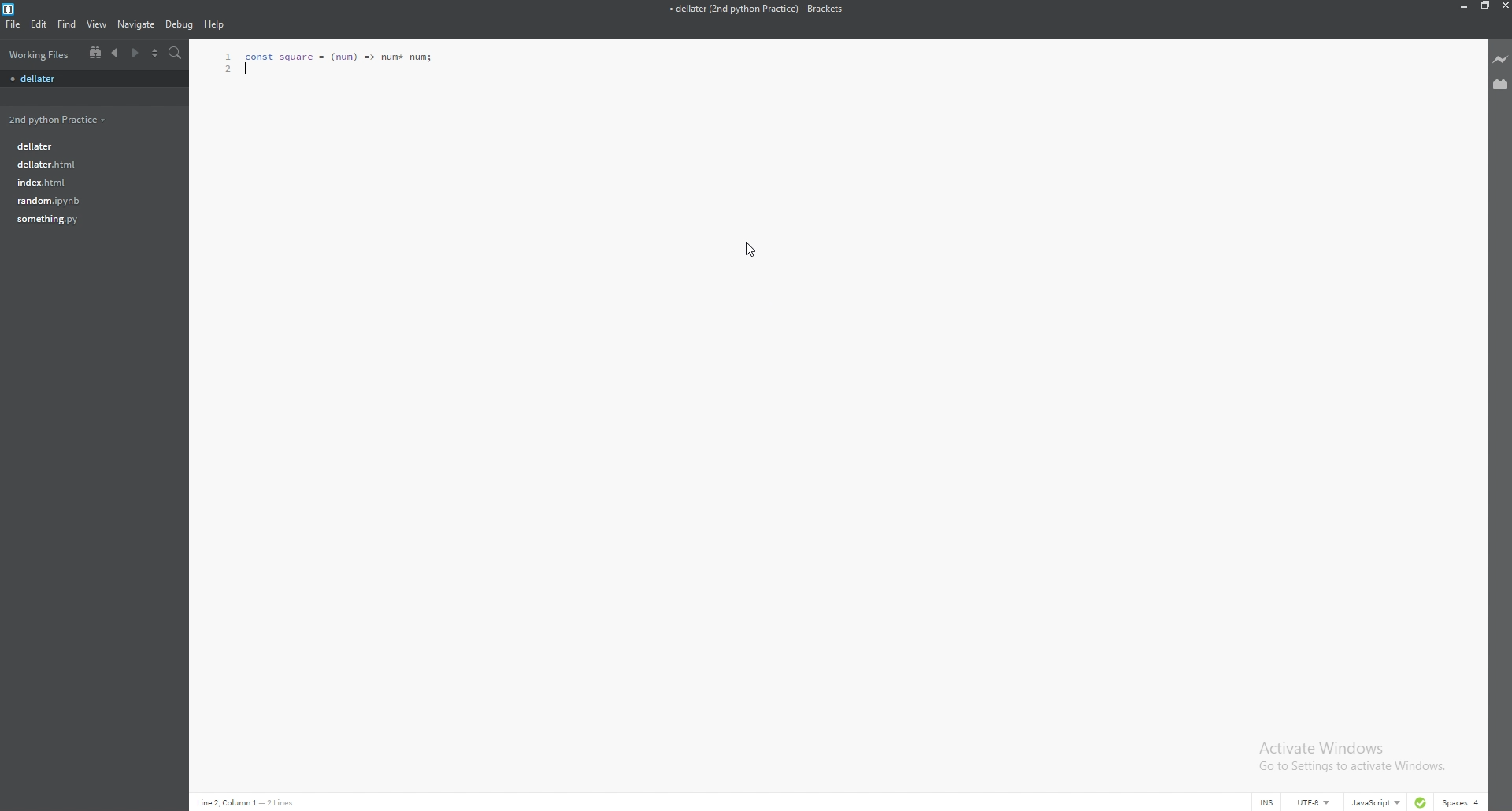  Describe the element at coordinates (1378, 802) in the screenshot. I see `language` at that location.